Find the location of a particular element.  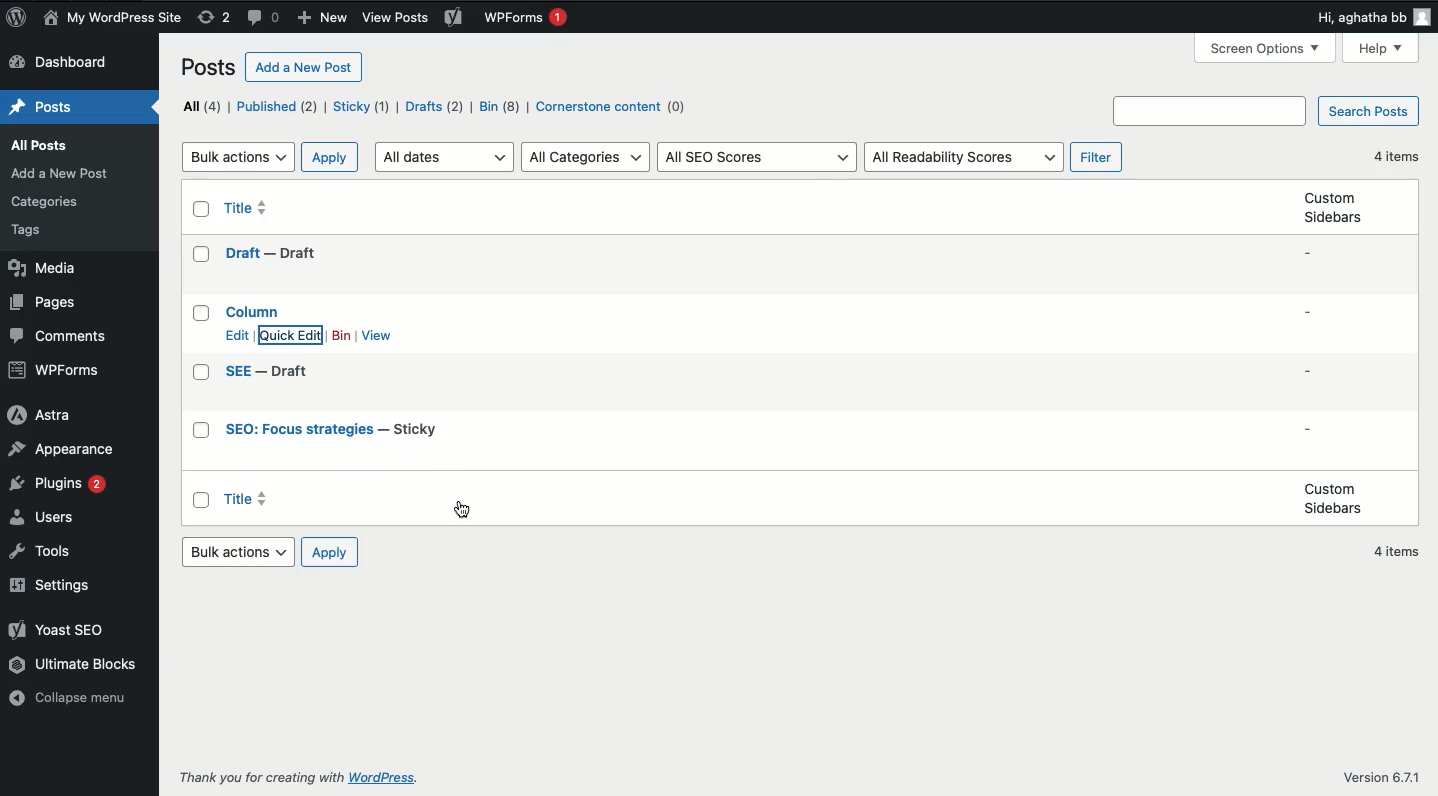

SEO: focus strategies -- Sticky is located at coordinates (333, 430).